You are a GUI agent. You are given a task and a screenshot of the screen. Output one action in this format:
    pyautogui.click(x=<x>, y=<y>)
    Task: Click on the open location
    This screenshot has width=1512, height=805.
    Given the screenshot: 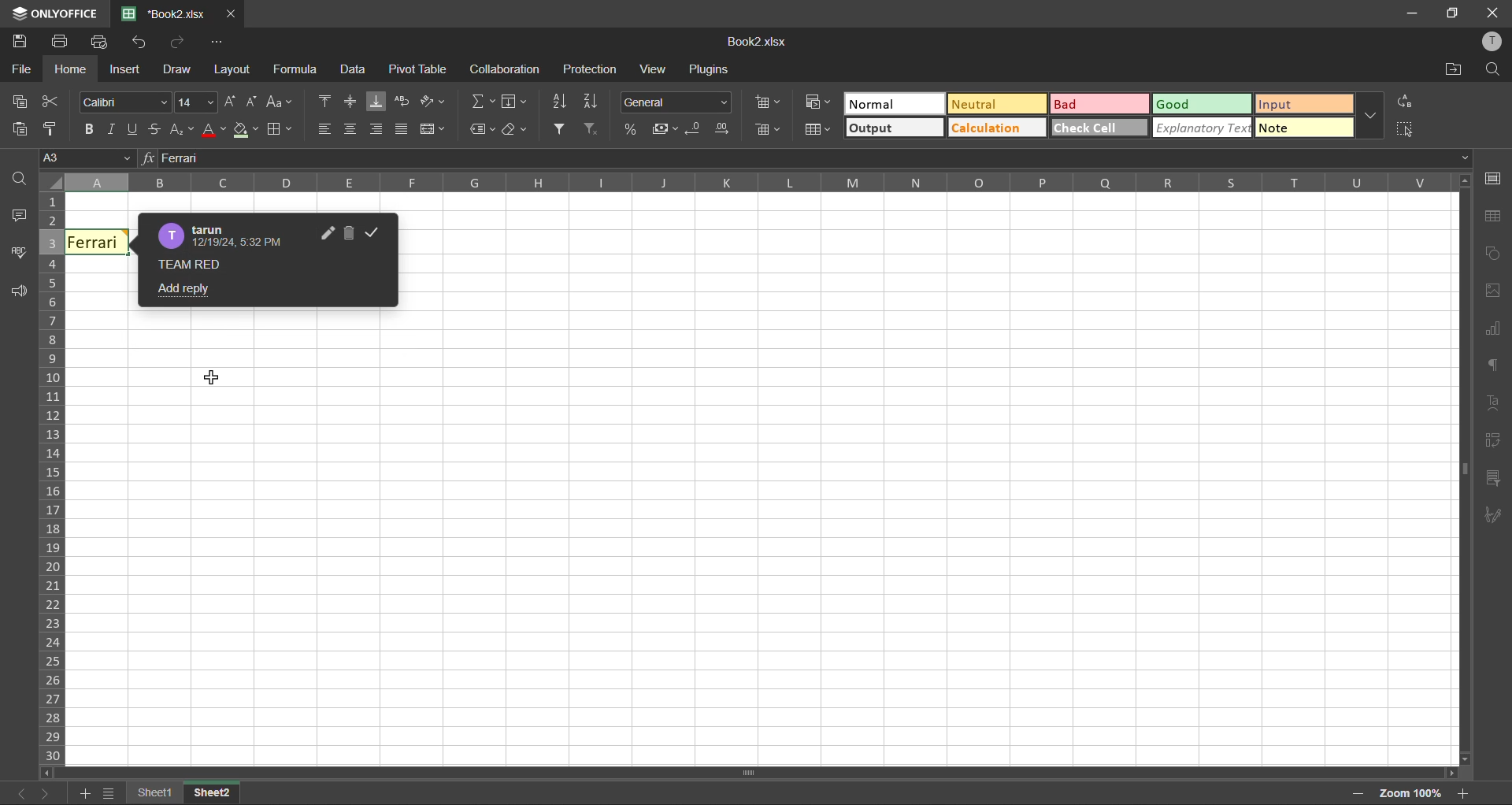 What is the action you would take?
    pyautogui.click(x=1455, y=70)
    